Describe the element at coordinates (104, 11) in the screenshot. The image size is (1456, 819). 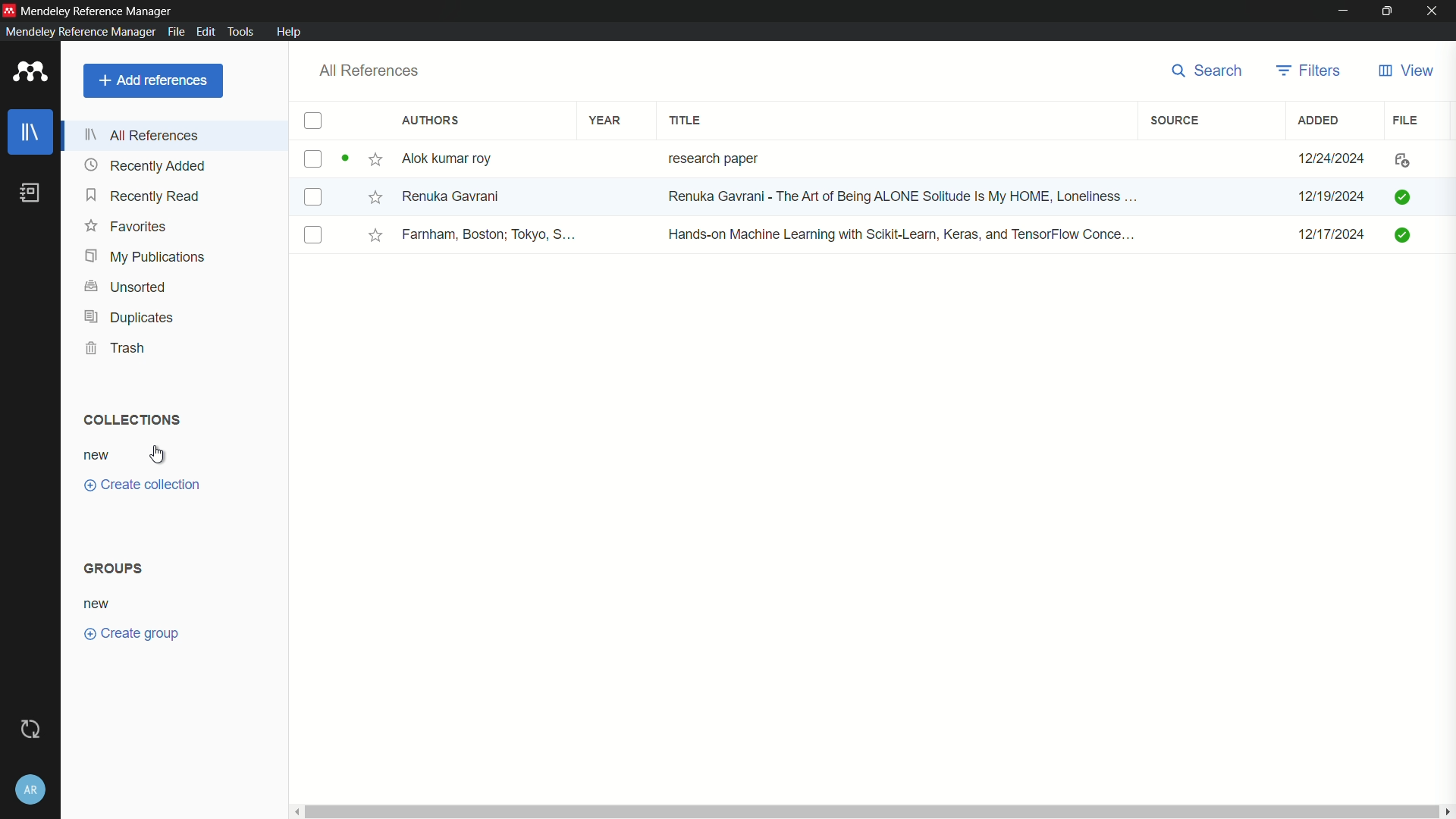
I see `Mendeley Reference Manager` at that location.